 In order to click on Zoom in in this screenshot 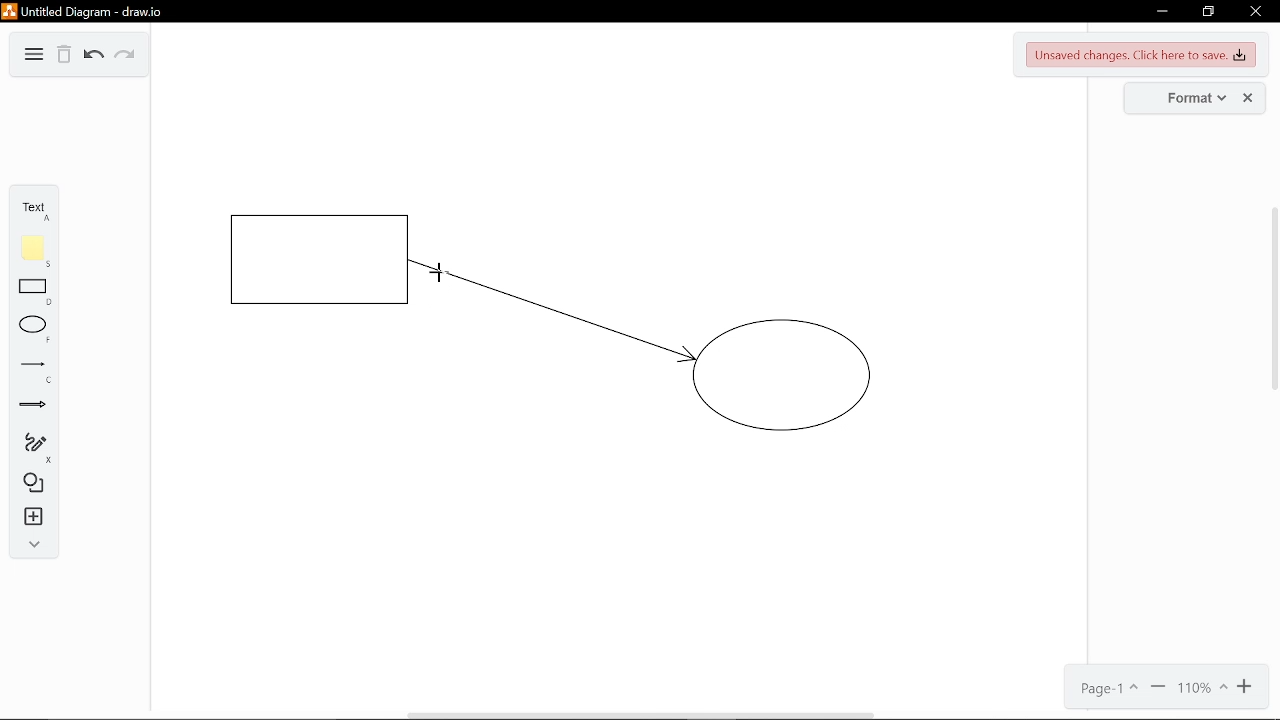, I will do `click(1248, 687)`.